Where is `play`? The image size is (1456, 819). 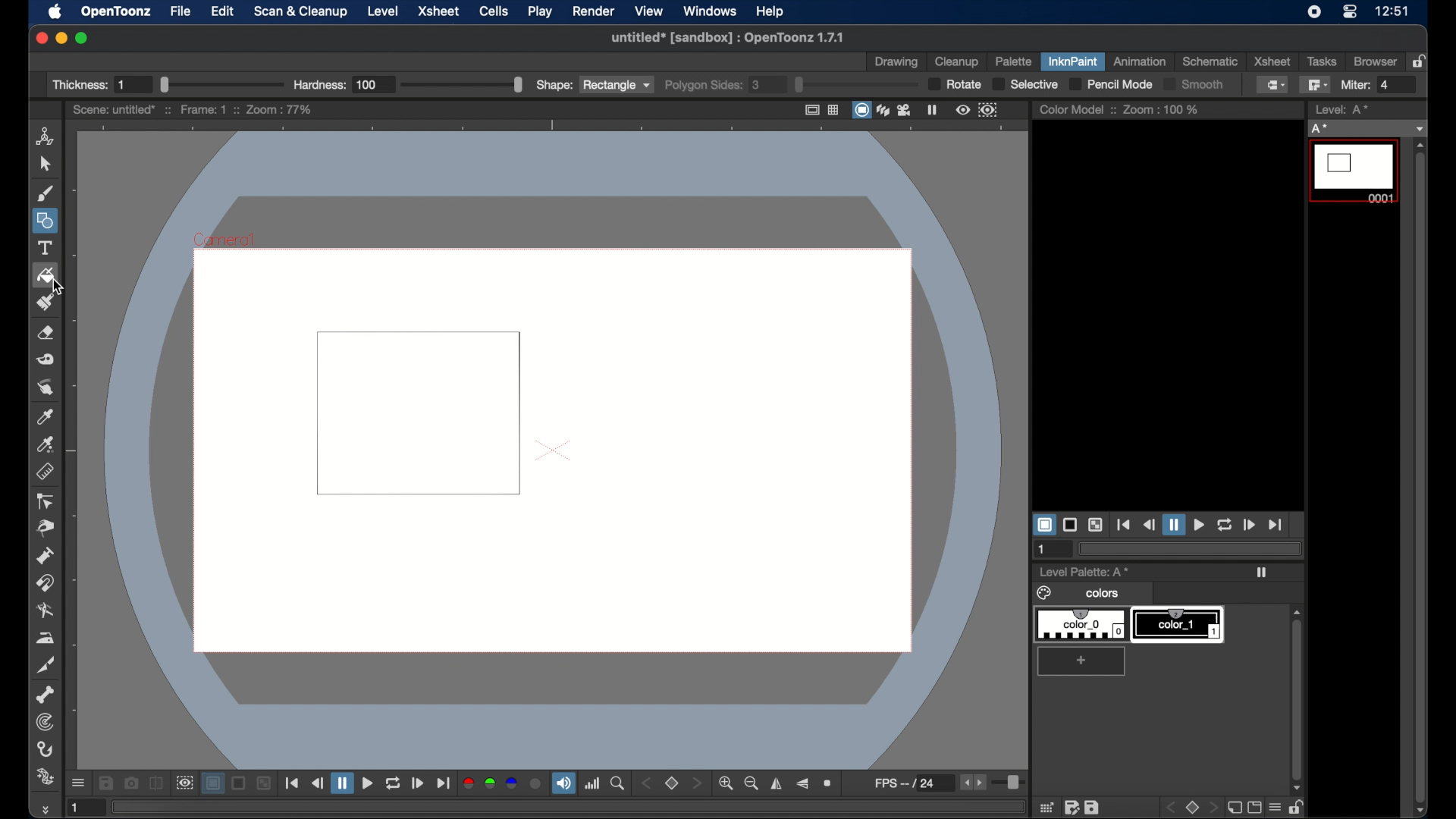
play is located at coordinates (1198, 526).